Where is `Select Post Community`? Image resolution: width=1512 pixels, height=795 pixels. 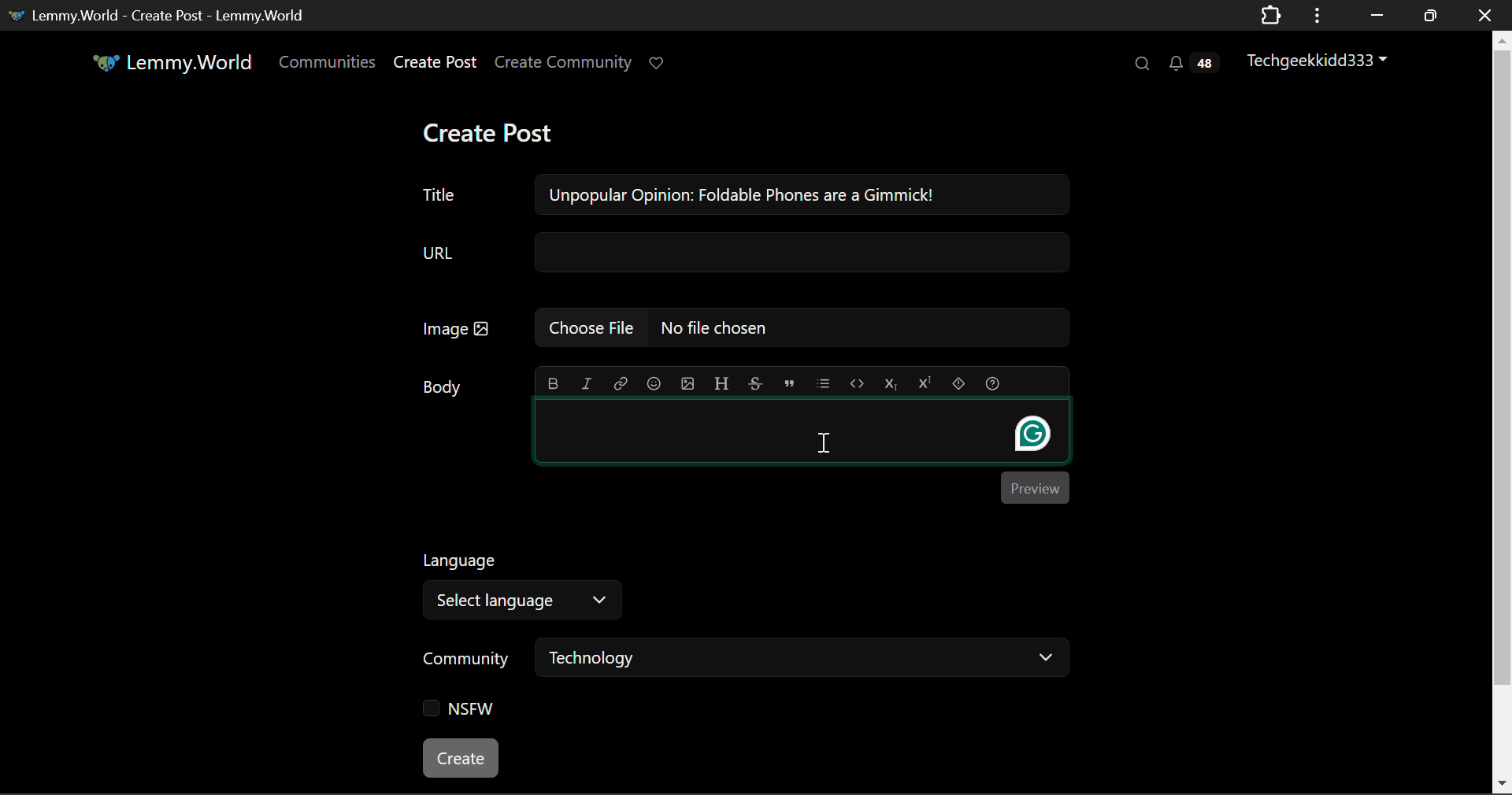 Select Post Community is located at coordinates (746, 660).